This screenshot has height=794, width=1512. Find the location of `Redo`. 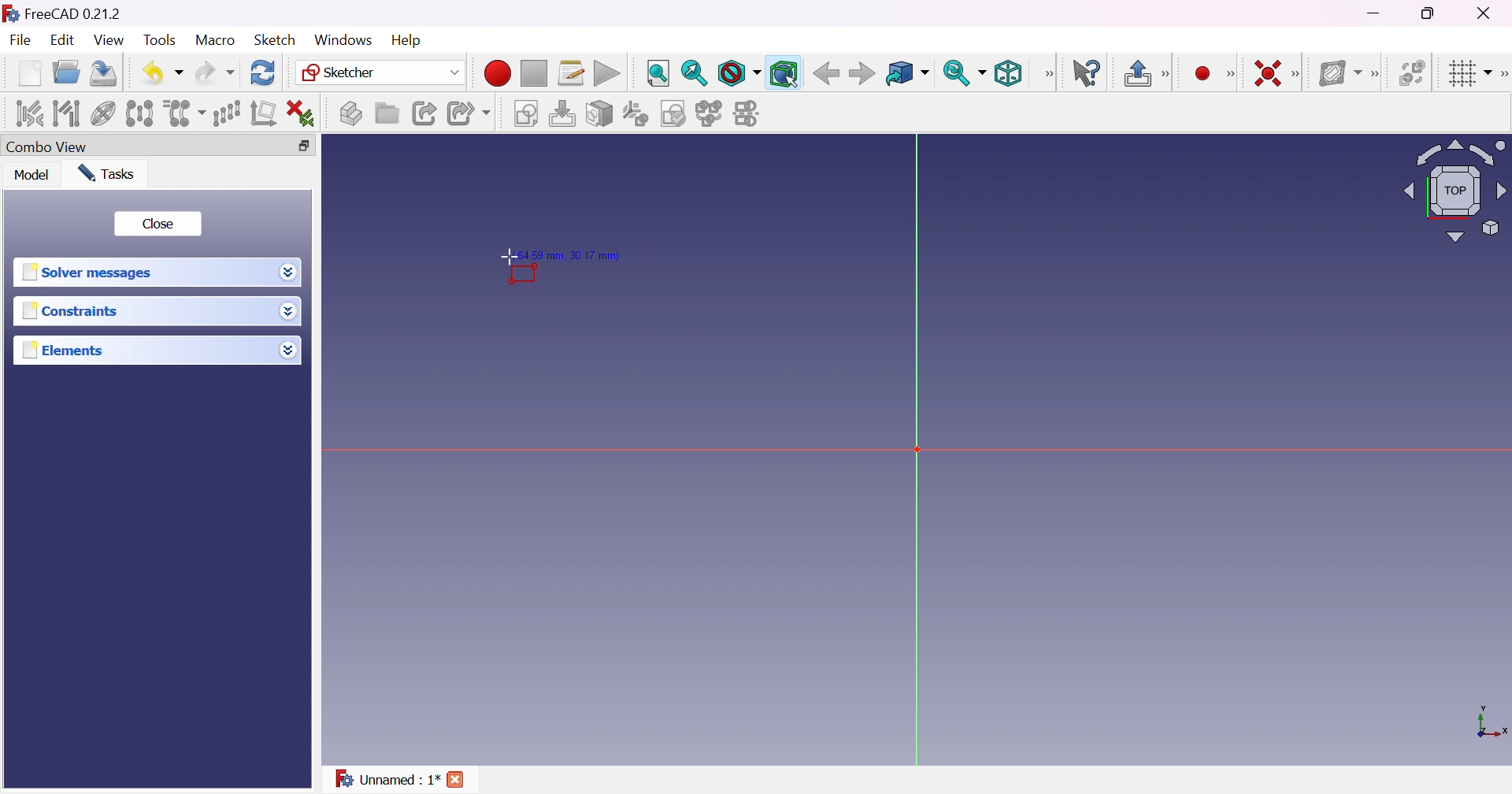

Redo is located at coordinates (216, 74).